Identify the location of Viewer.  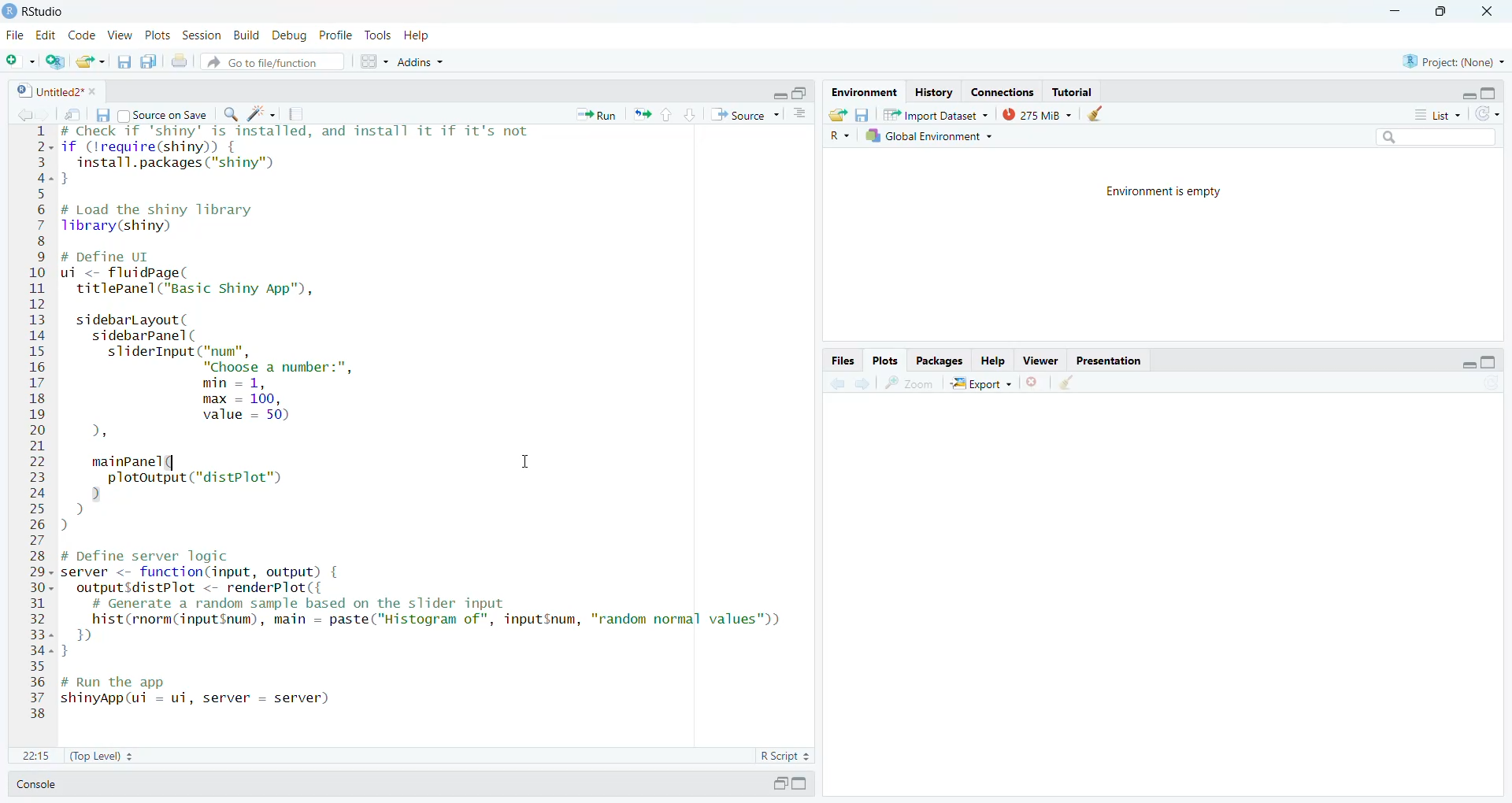
(1039, 361).